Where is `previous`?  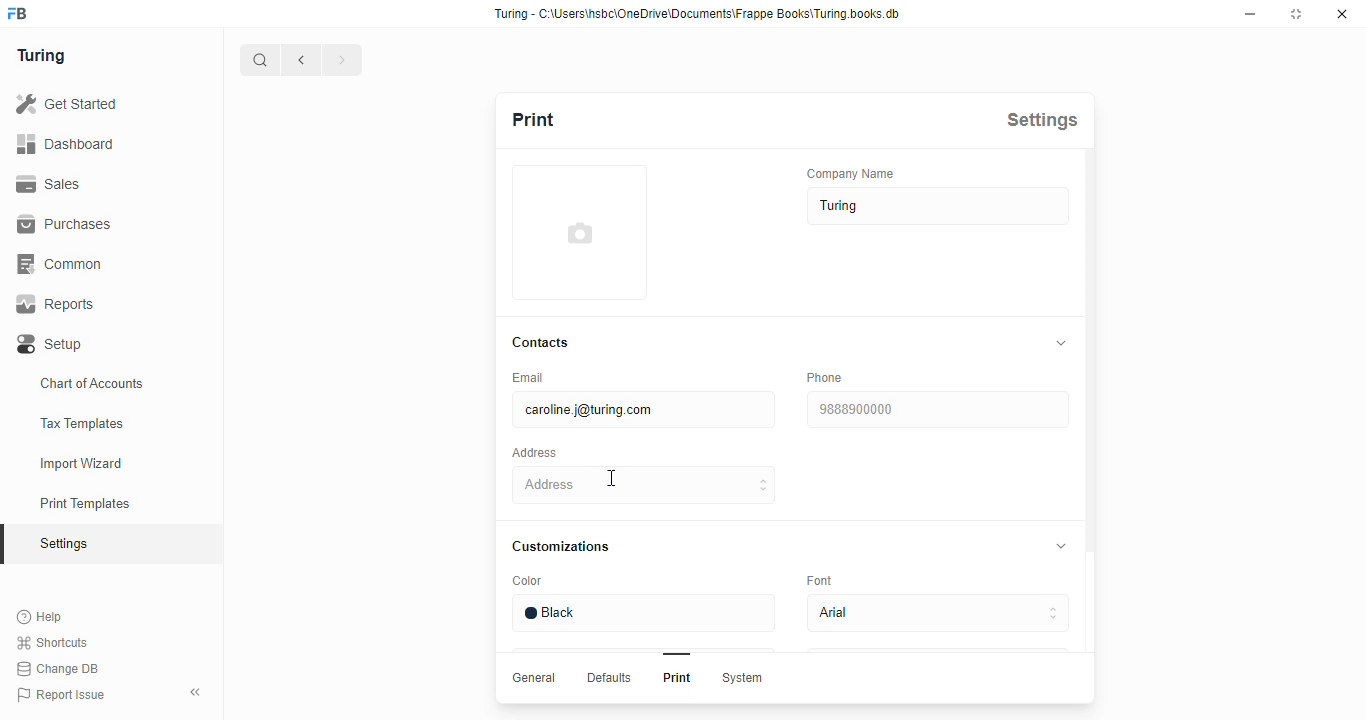
previous is located at coordinates (302, 60).